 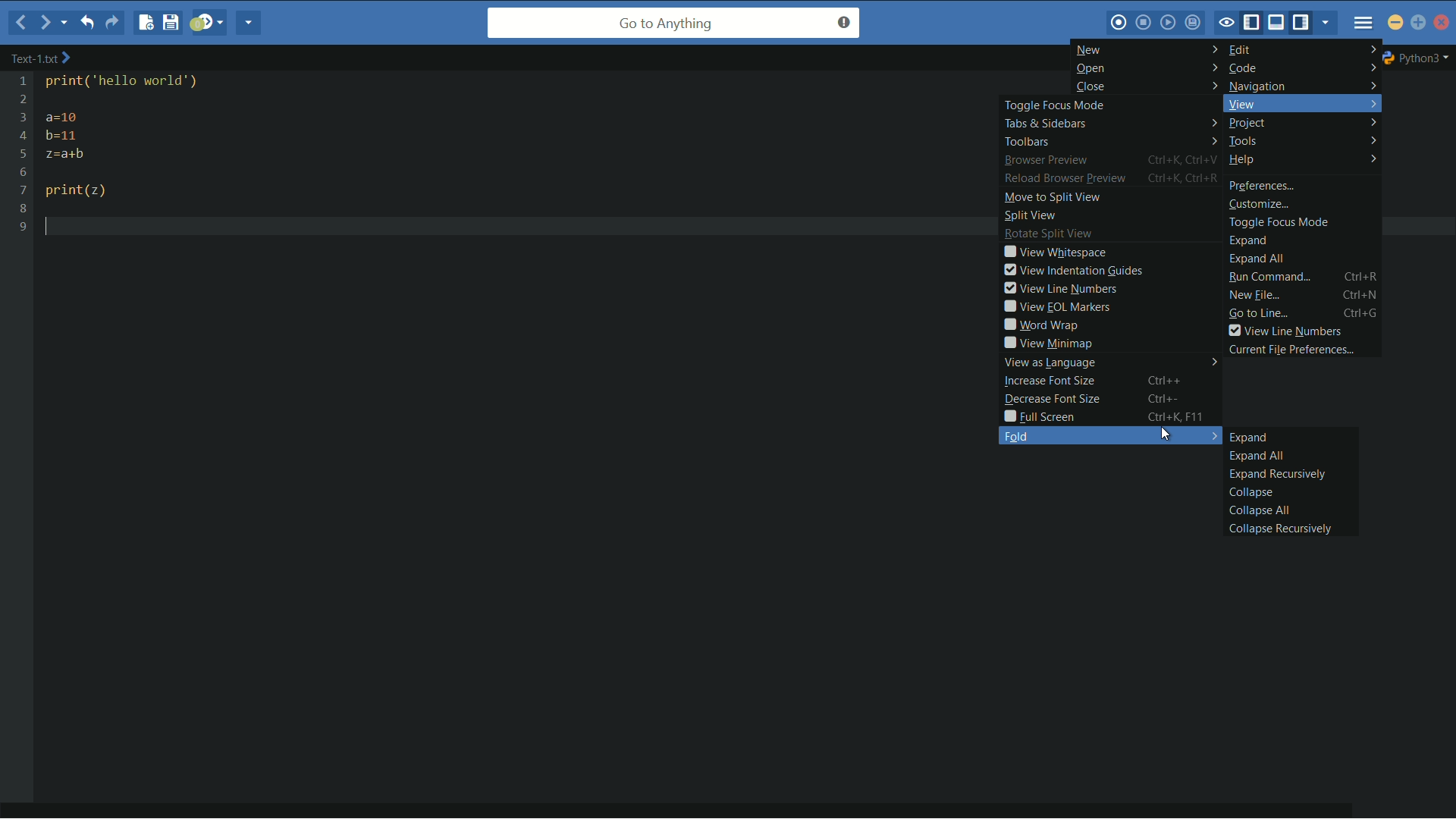 What do you see at coordinates (1255, 456) in the screenshot?
I see `expand all` at bounding box center [1255, 456].